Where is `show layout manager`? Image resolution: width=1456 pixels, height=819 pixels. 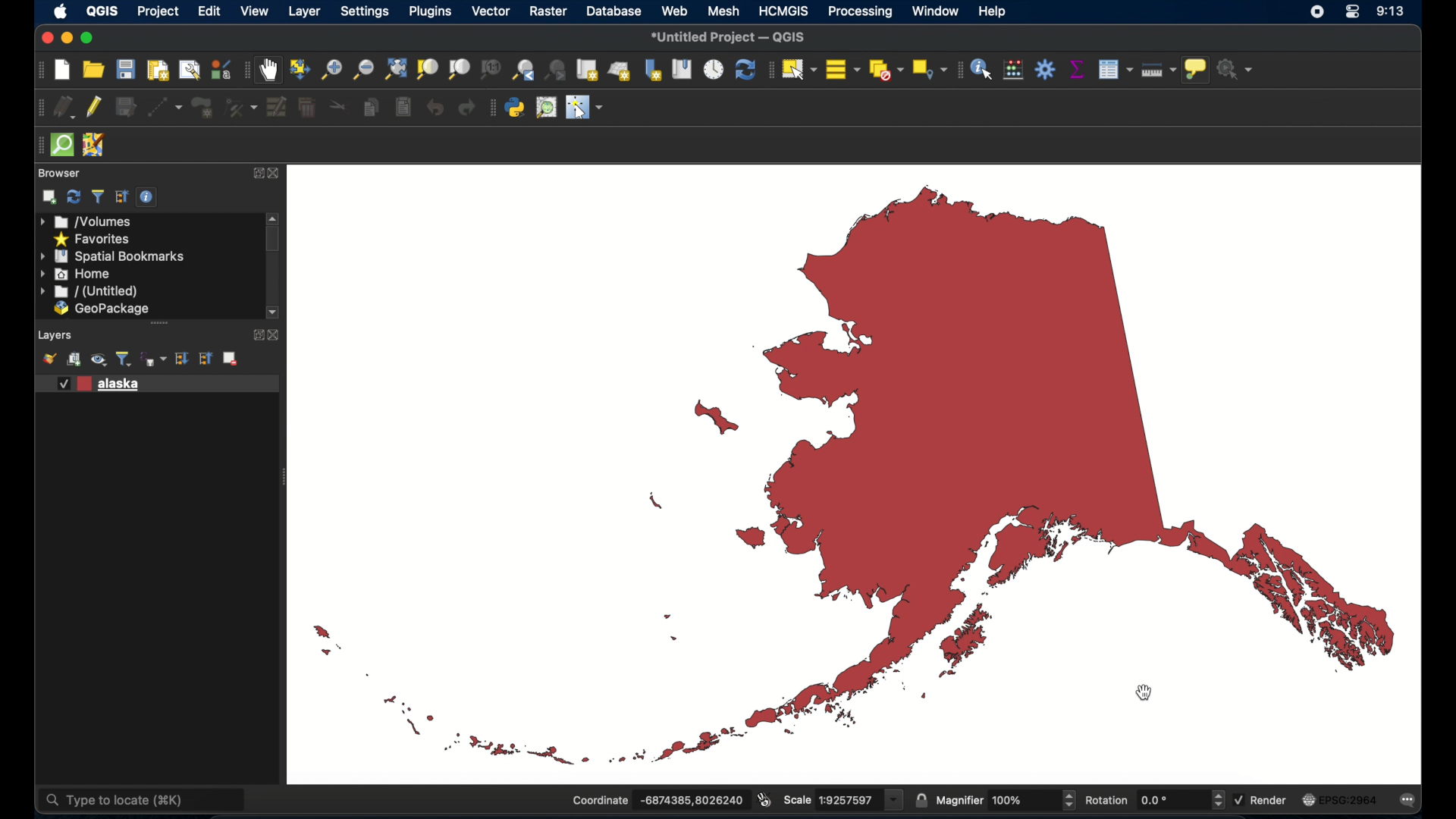
show layout manager is located at coordinates (188, 69).